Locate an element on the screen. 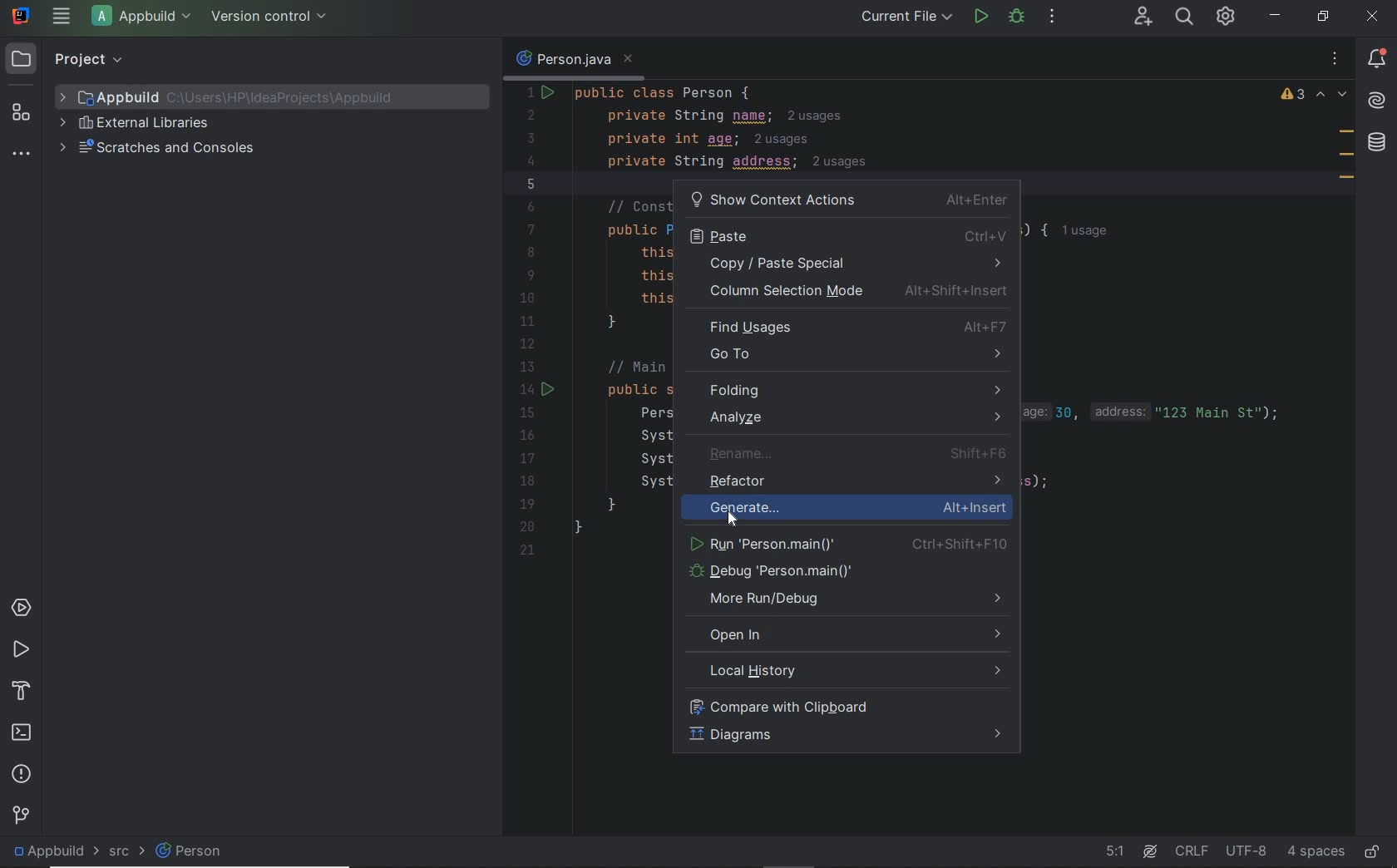 This screenshot has height=868, width=1397. terminal is located at coordinates (22, 730).